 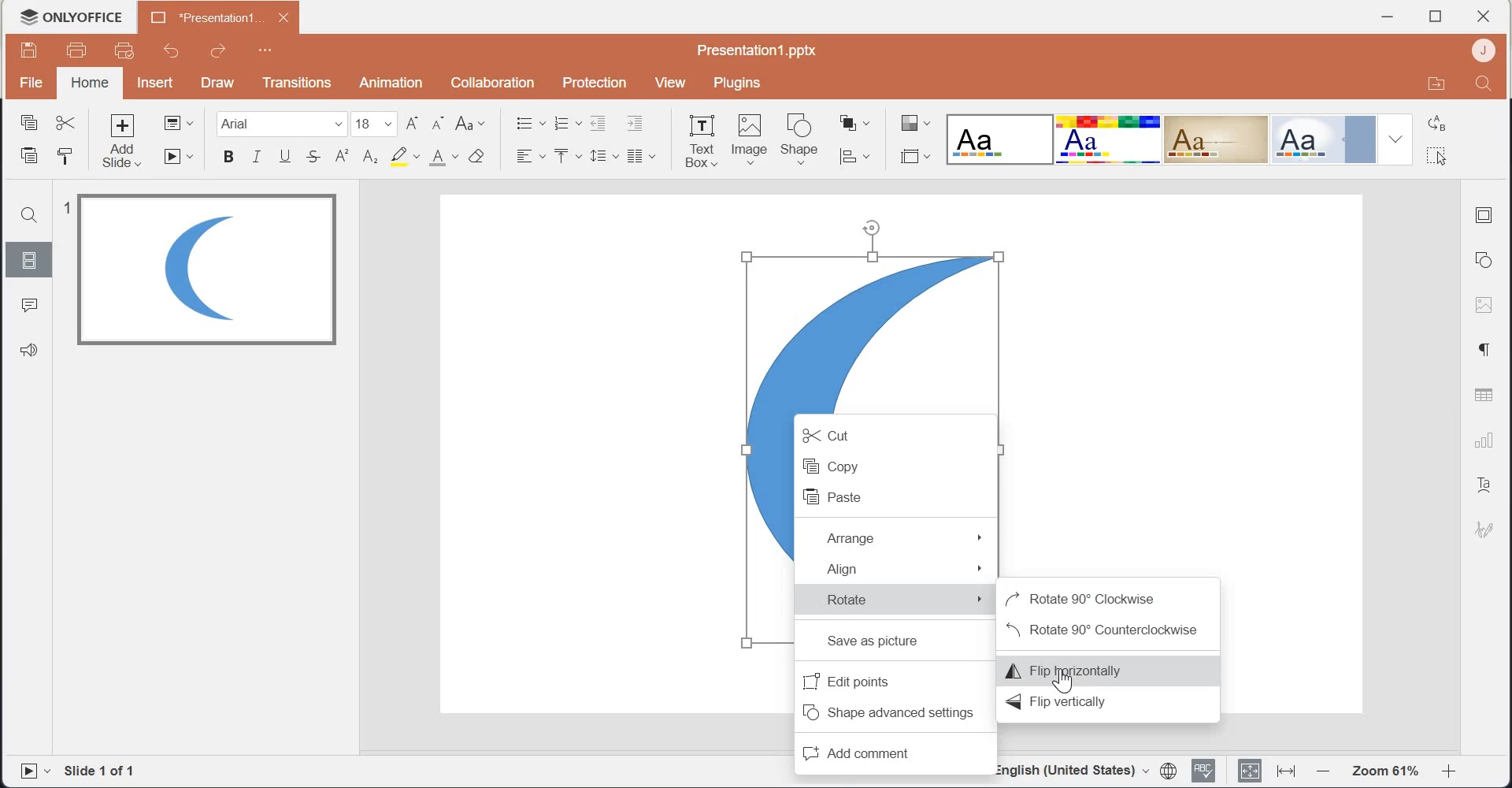 I want to click on Rotate, so click(x=900, y=598).